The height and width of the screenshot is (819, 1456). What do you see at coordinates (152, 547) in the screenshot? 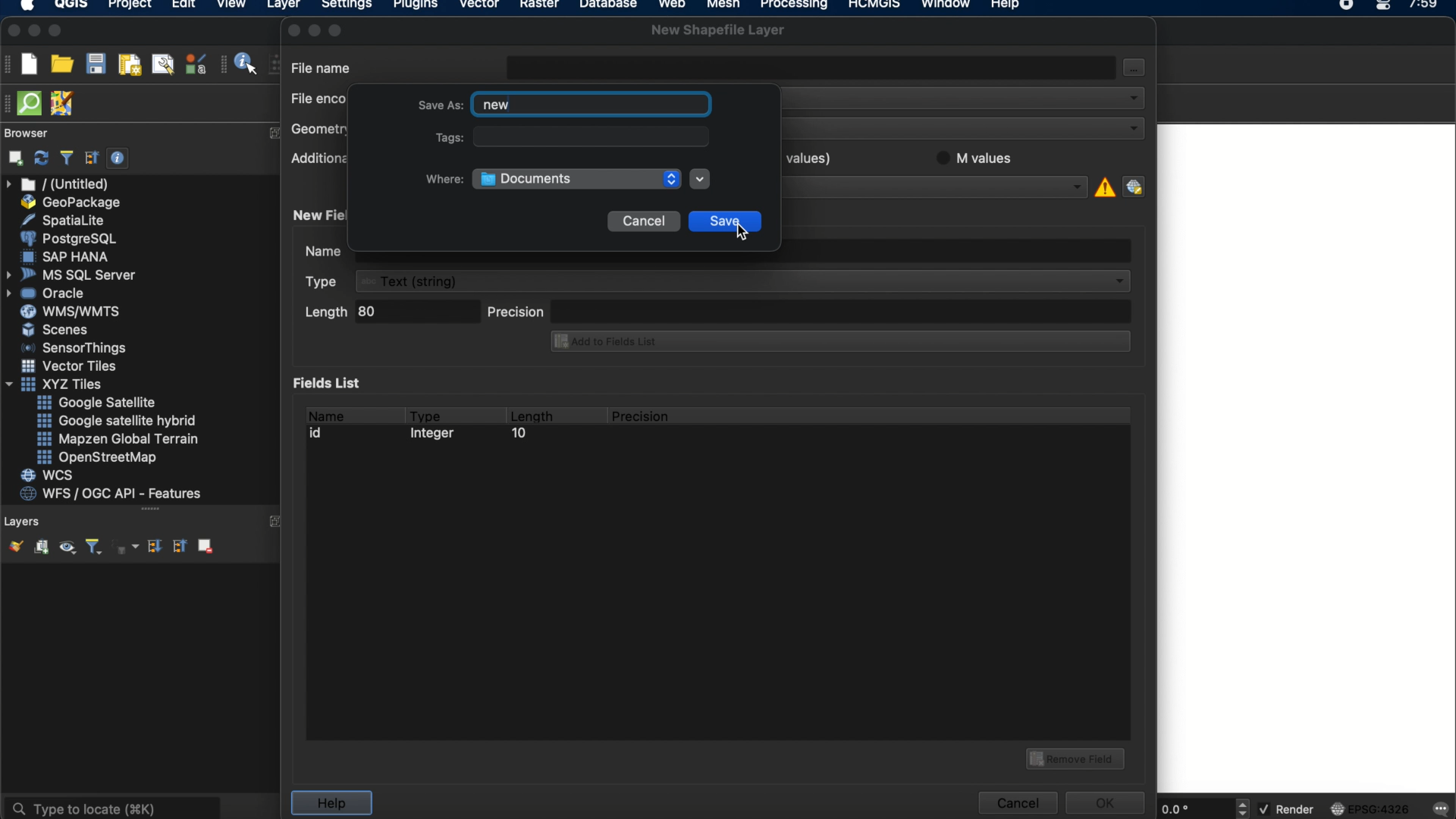
I see `expand all` at bounding box center [152, 547].